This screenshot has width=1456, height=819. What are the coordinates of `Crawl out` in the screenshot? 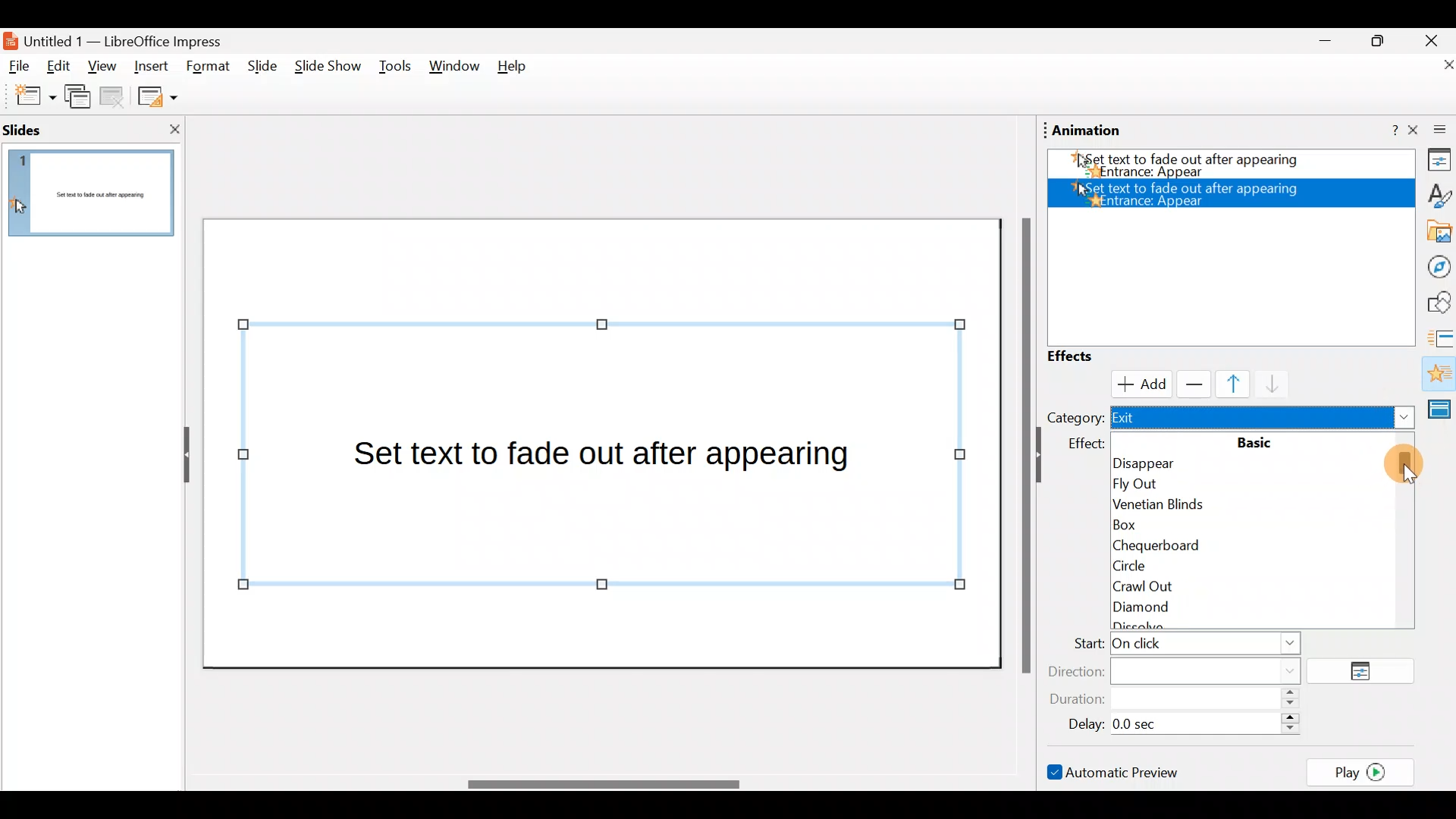 It's located at (1152, 589).